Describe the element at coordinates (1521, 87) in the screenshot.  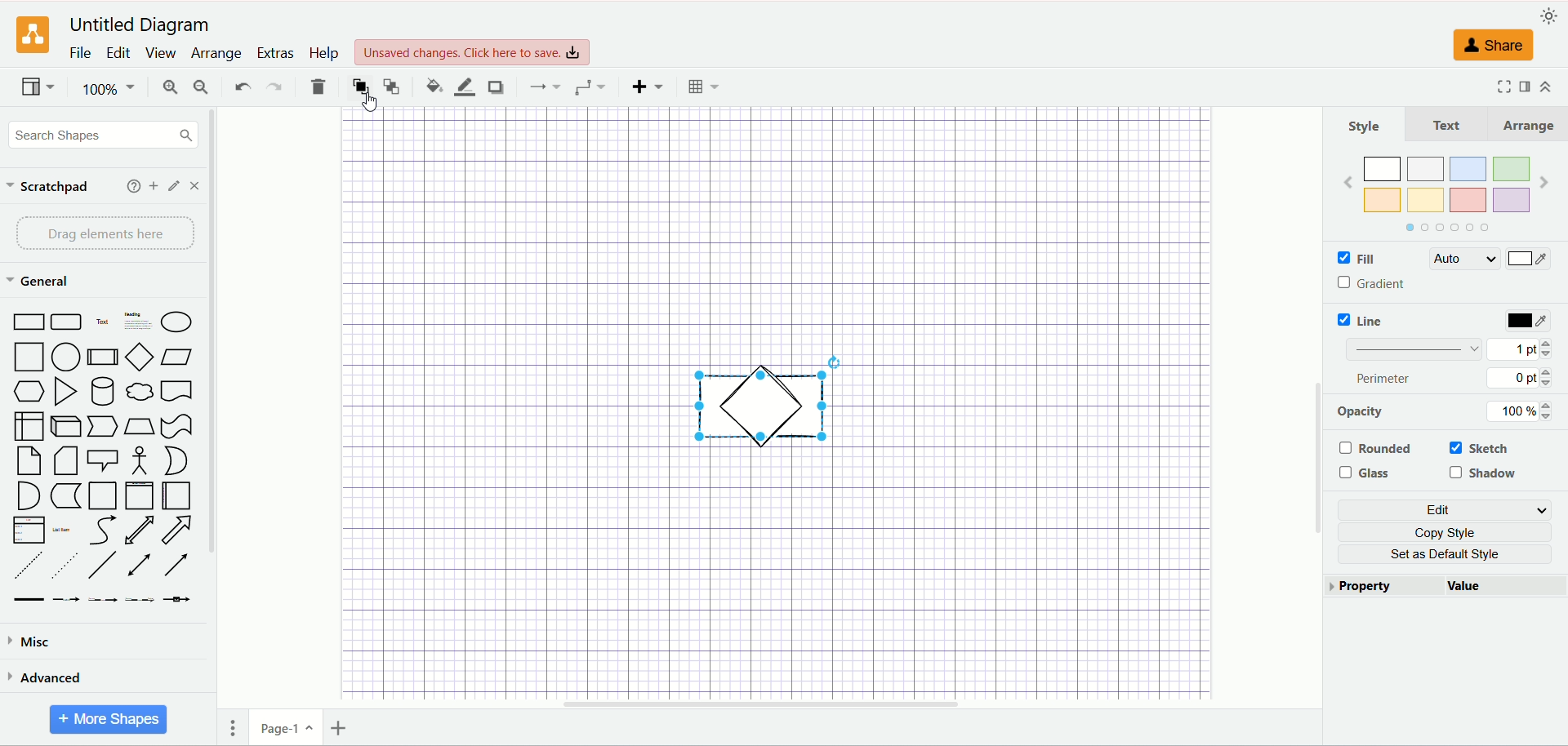
I see `format` at that location.